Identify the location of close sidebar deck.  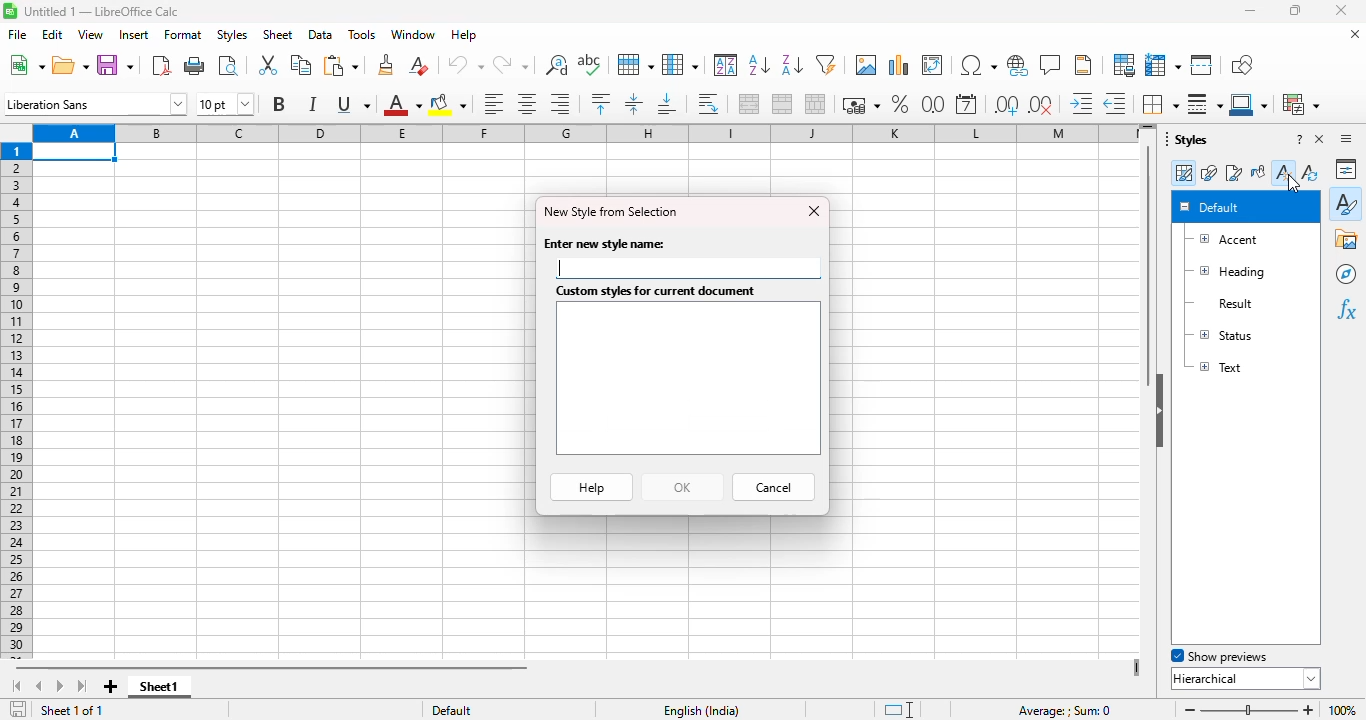
(1320, 138).